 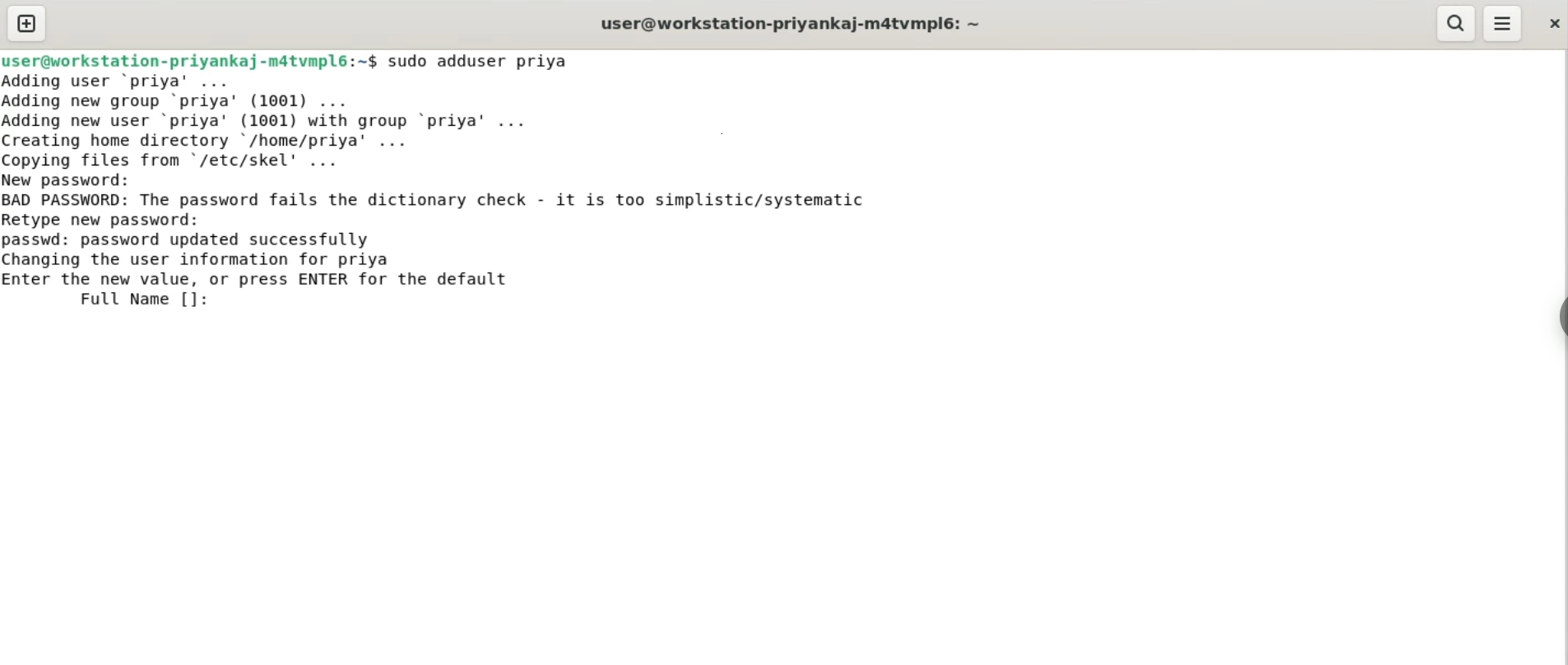 What do you see at coordinates (480, 61) in the screenshot?
I see `sudo adduser priya` at bounding box center [480, 61].